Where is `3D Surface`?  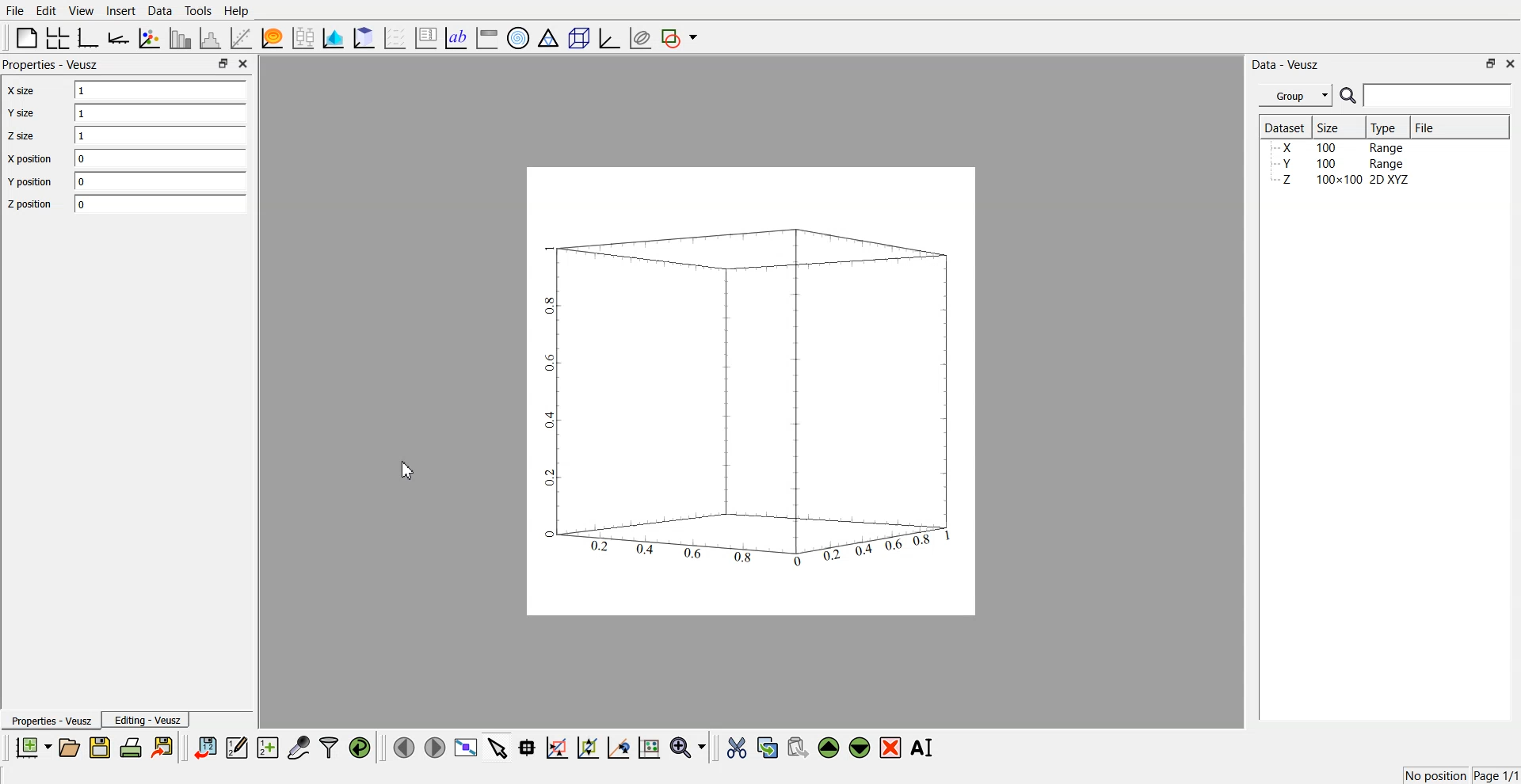 3D Surface is located at coordinates (333, 38).